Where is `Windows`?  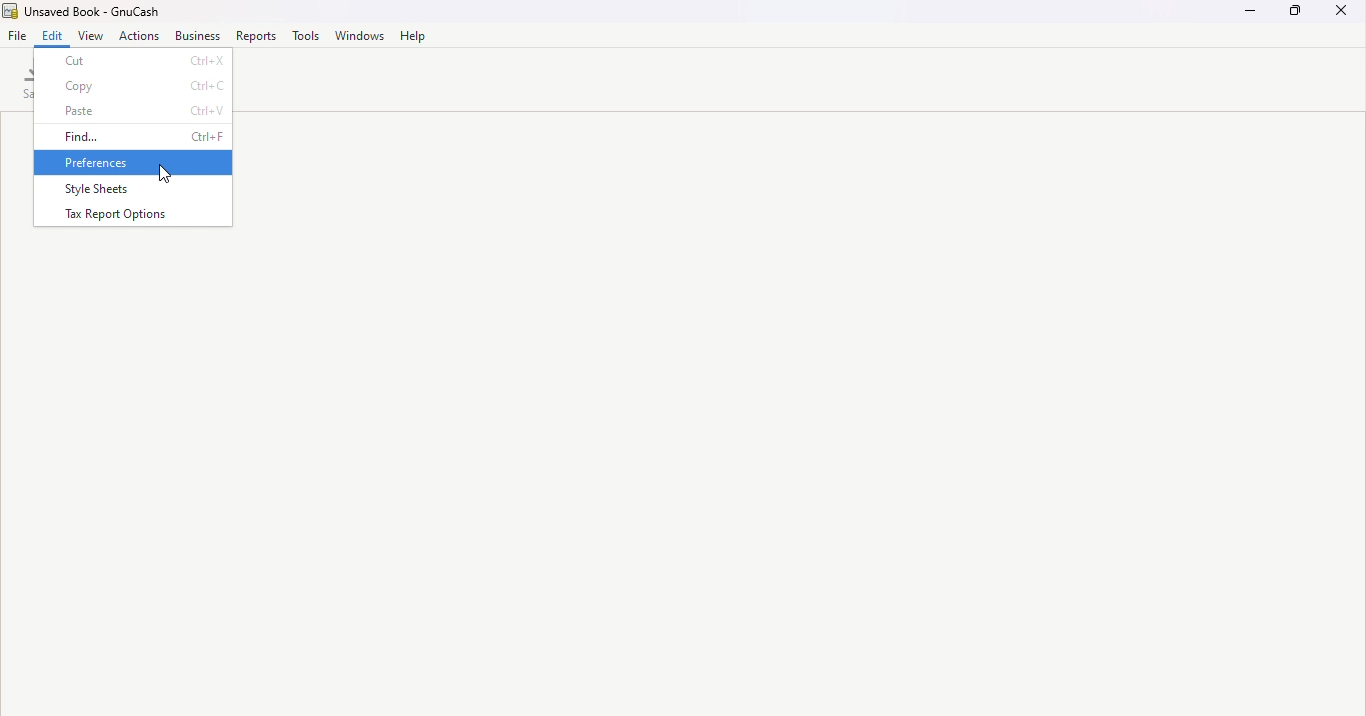
Windows is located at coordinates (360, 35).